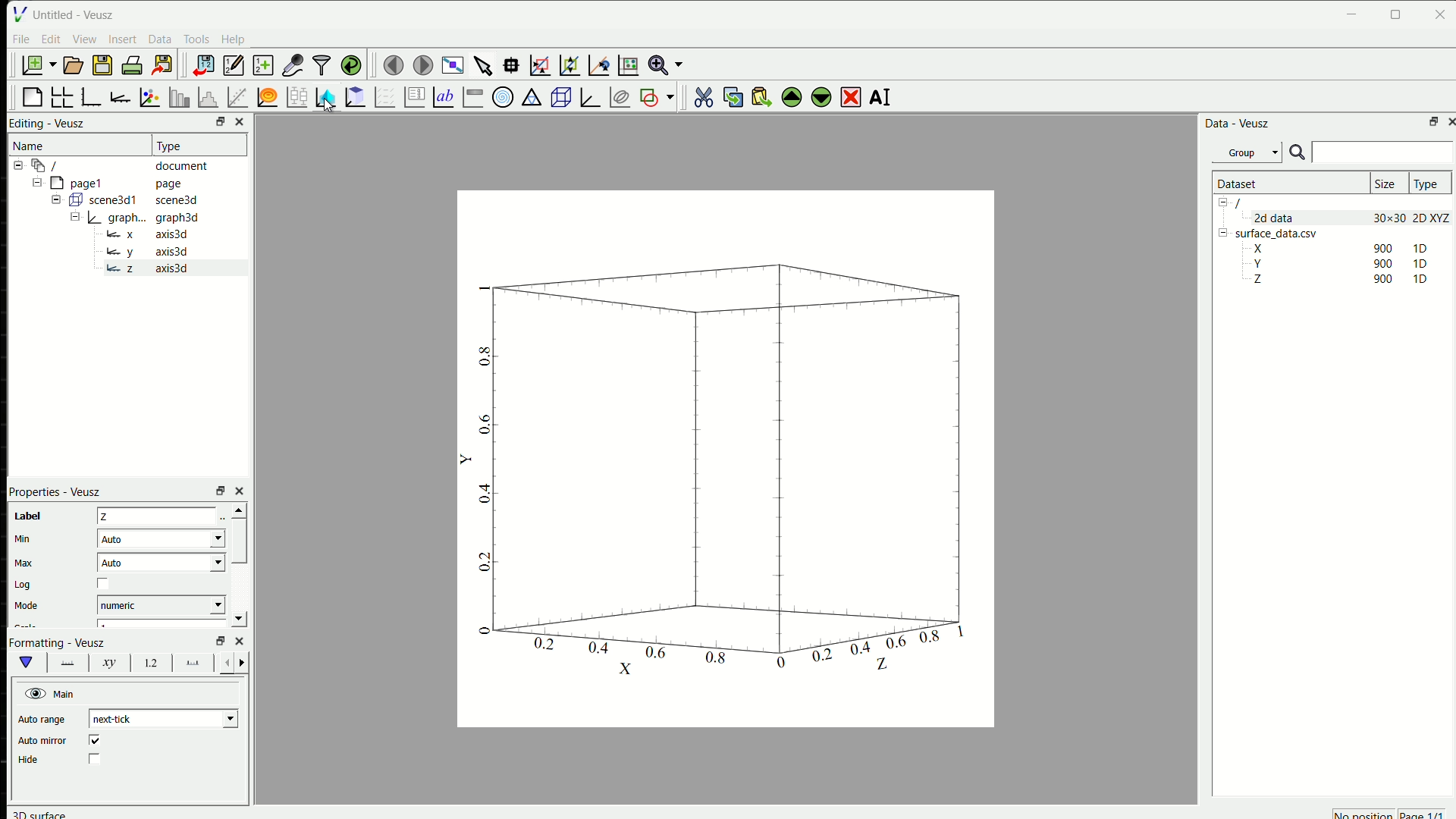 Image resolution: width=1456 pixels, height=819 pixels. Describe the element at coordinates (50, 695) in the screenshot. I see `Main` at that location.